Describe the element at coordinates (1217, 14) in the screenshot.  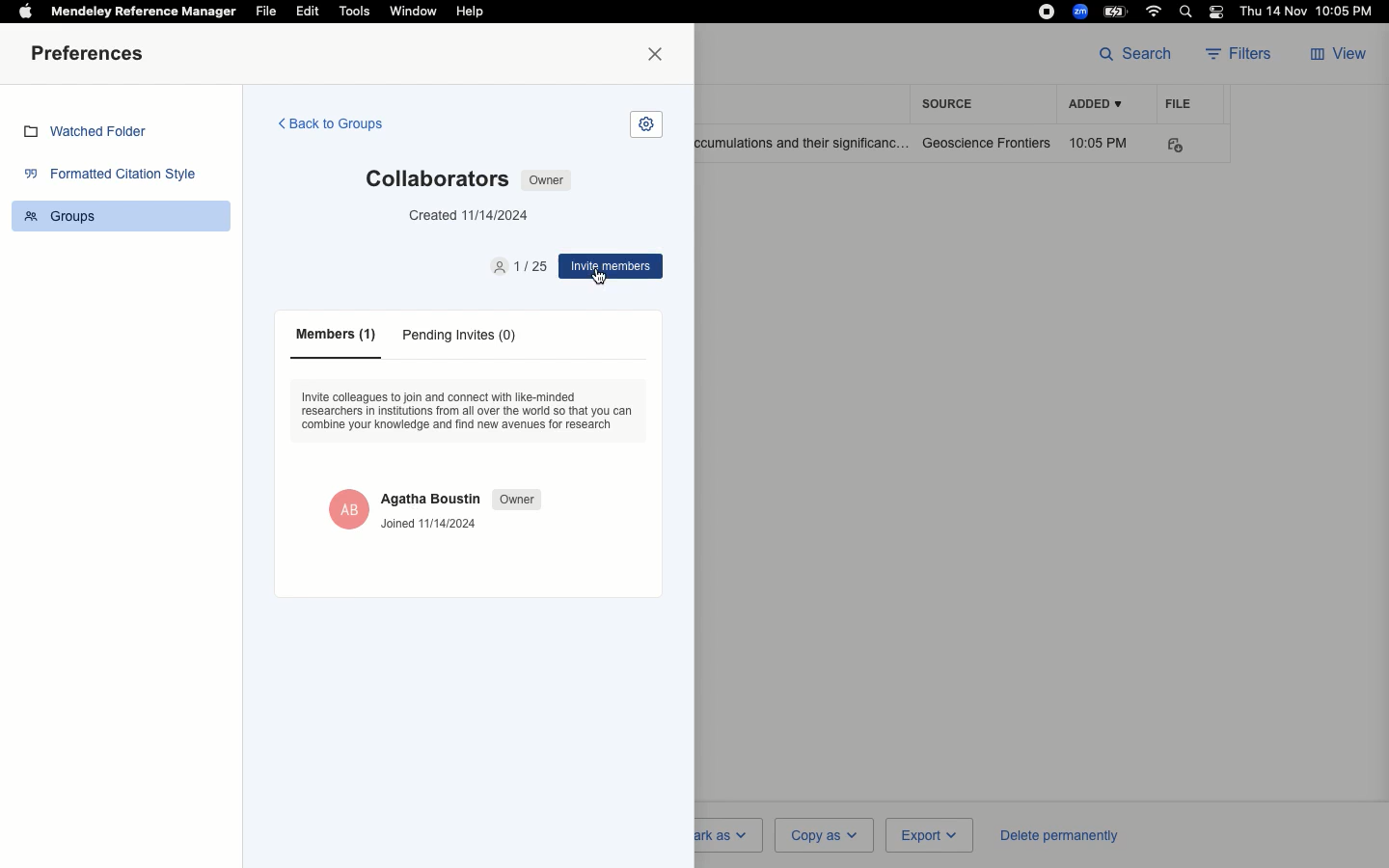
I see `Notification bar` at that location.